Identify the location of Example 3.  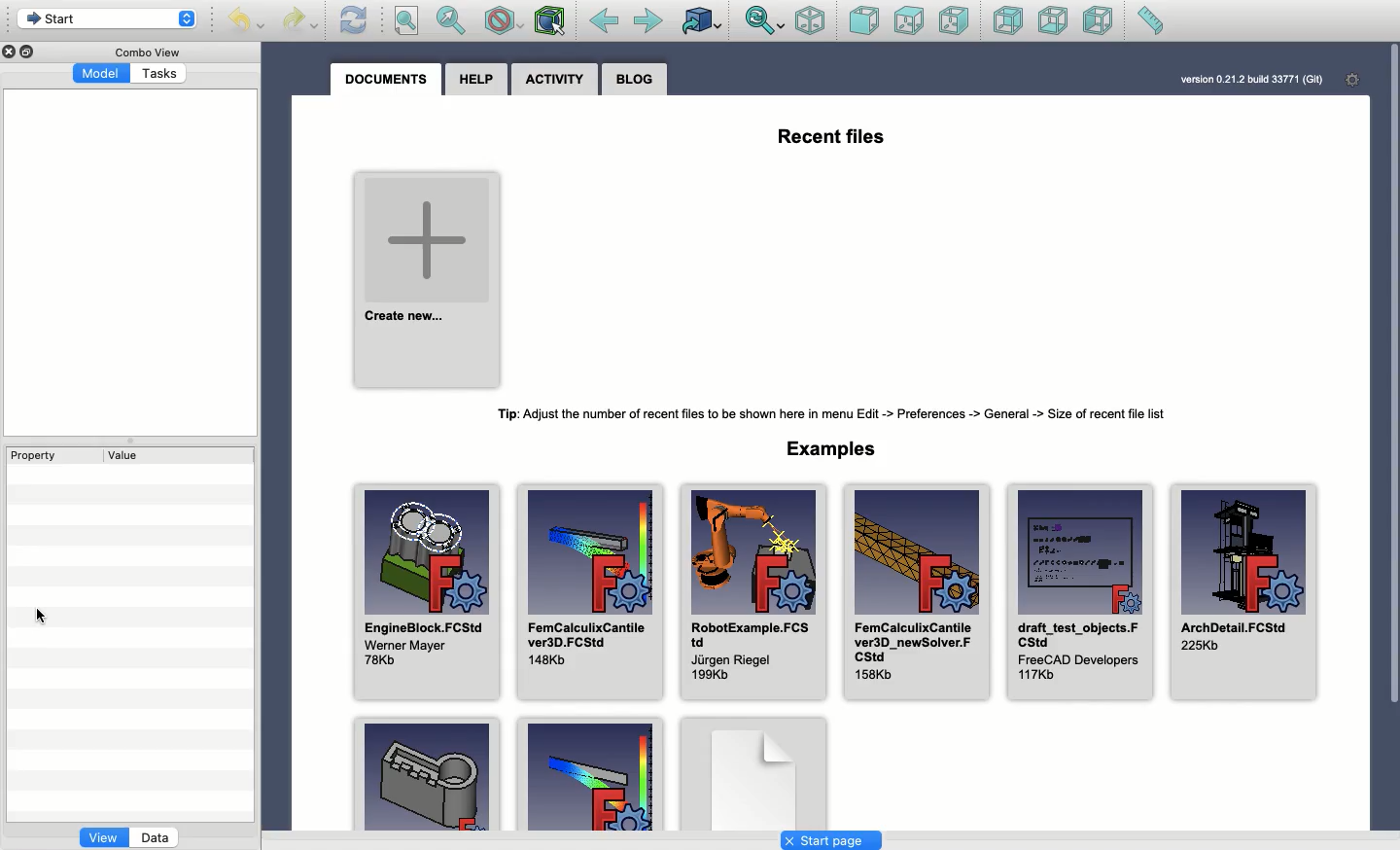
(755, 773).